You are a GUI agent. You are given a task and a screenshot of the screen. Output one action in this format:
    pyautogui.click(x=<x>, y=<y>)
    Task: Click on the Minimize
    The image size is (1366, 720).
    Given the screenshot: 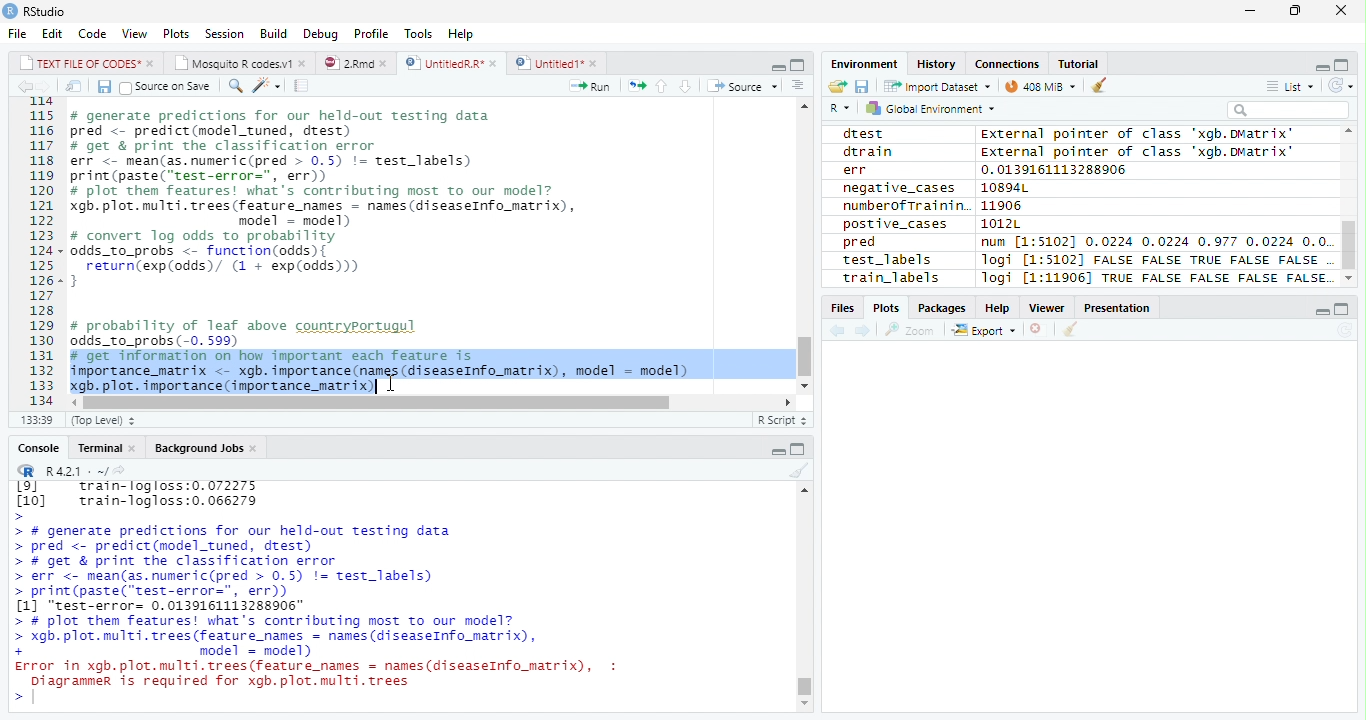 What is the action you would take?
    pyautogui.click(x=774, y=65)
    